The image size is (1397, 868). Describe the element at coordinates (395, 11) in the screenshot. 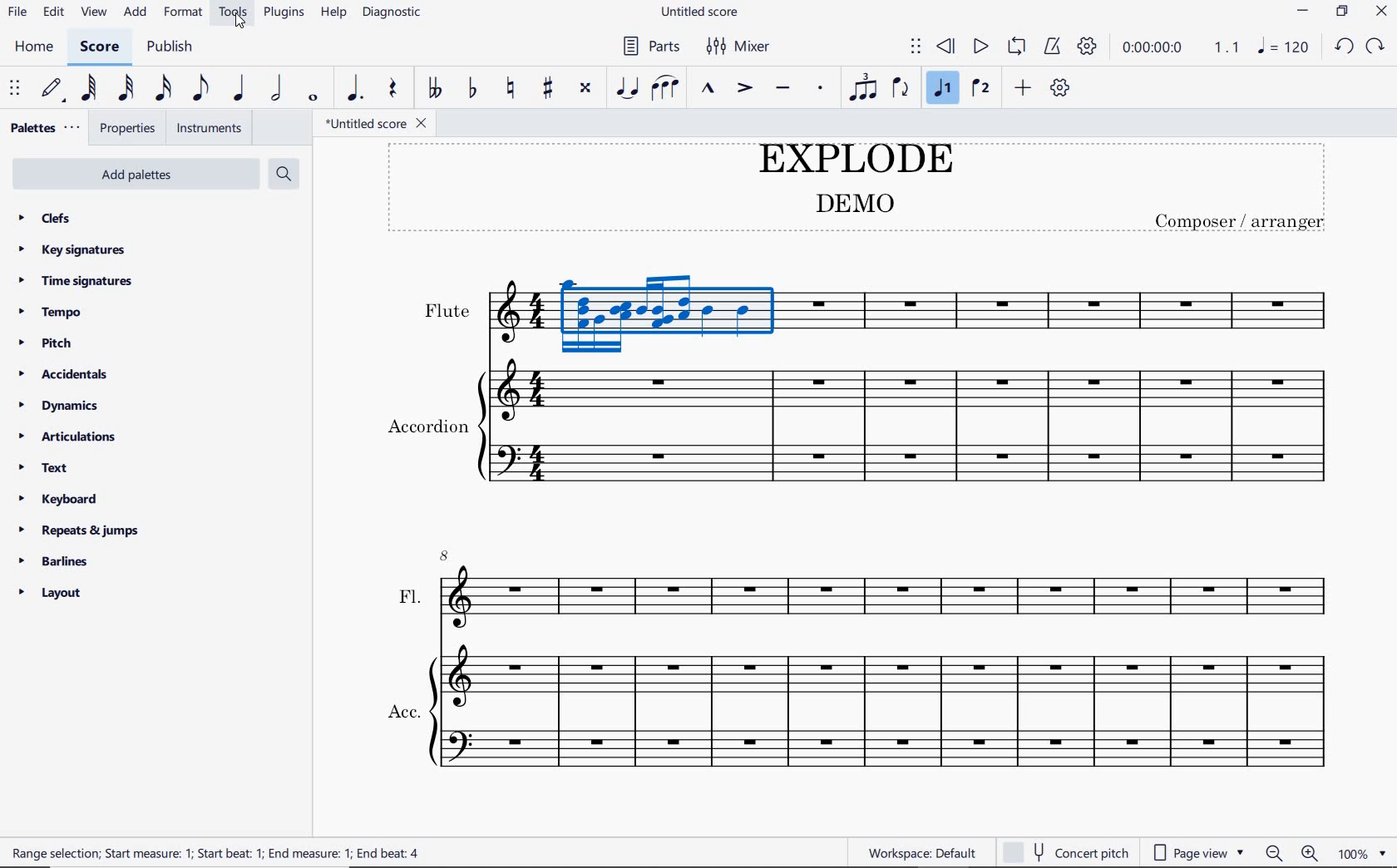

I see `diagnostic` at that location.